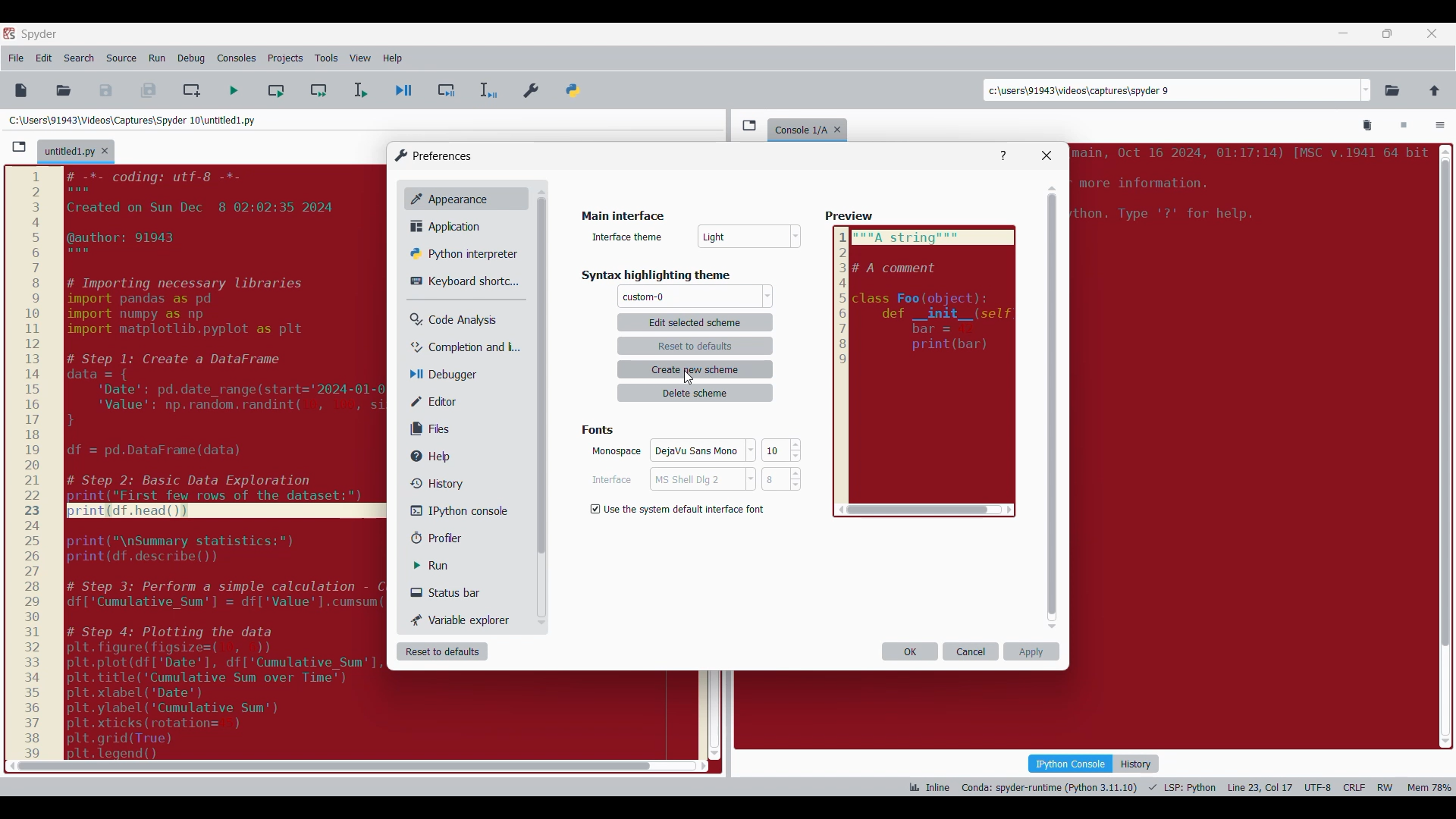  Describe the element at coordinates (1003, 156) in the screenshot. I see `Help` at that location.